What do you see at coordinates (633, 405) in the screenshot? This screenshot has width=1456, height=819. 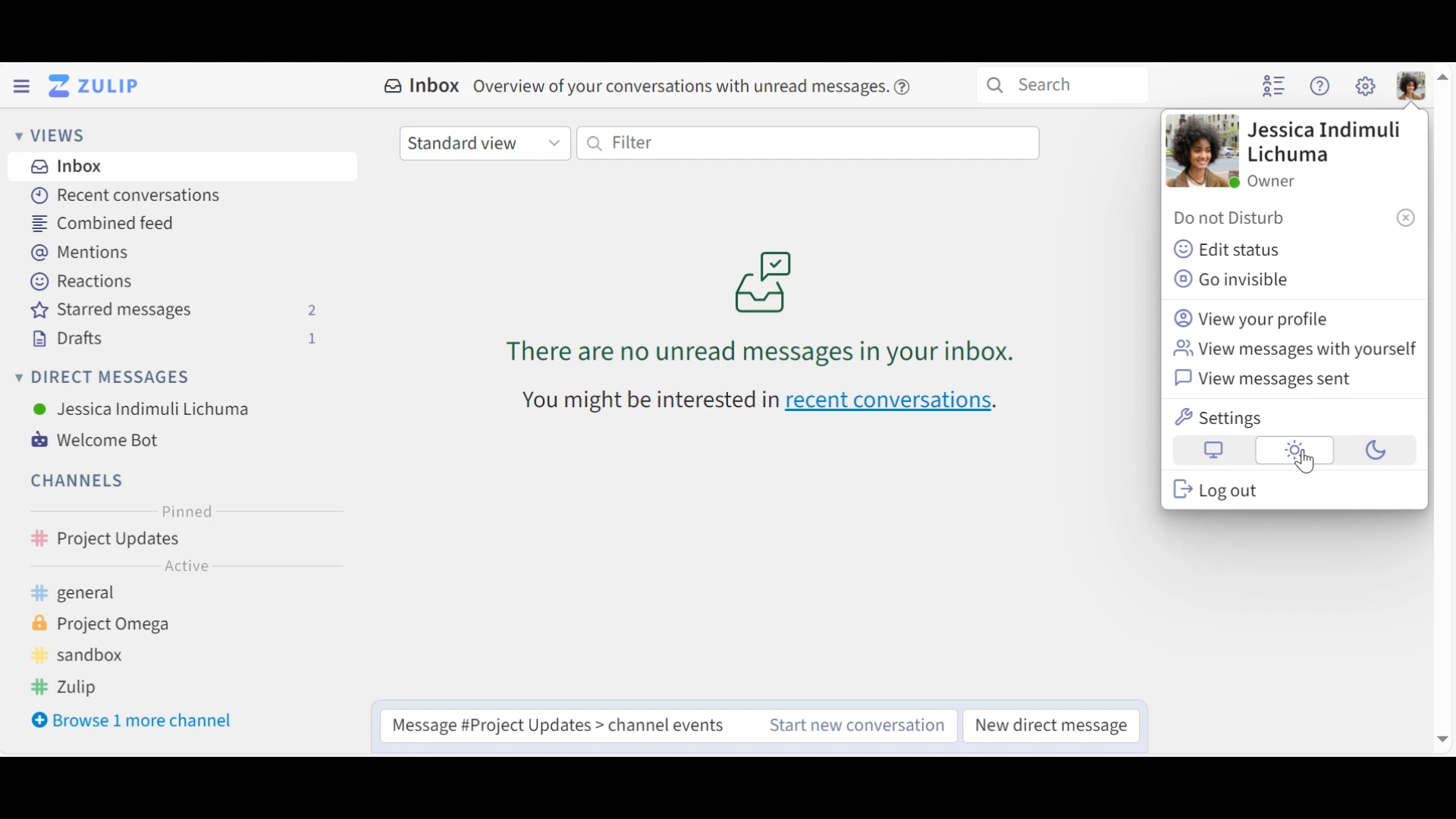 I see `You might be interested in` at bounding box center [633, 405].